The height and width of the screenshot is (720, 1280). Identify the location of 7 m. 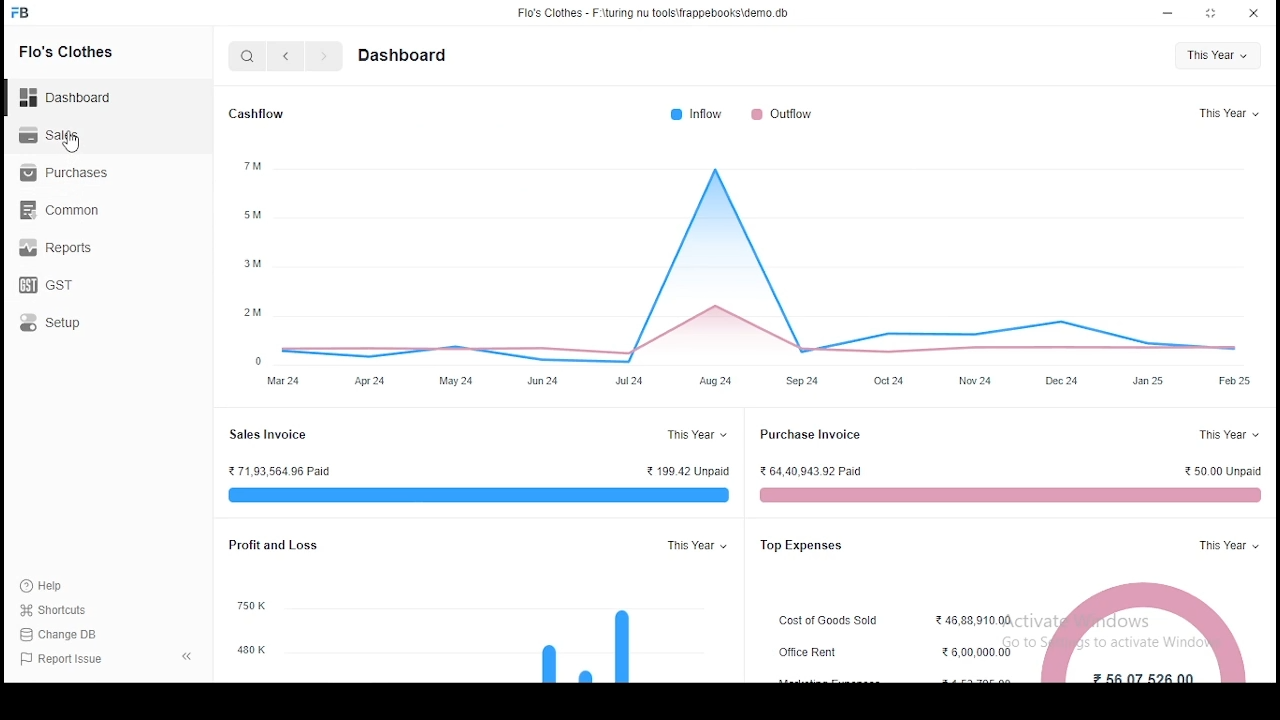
(252, 166).